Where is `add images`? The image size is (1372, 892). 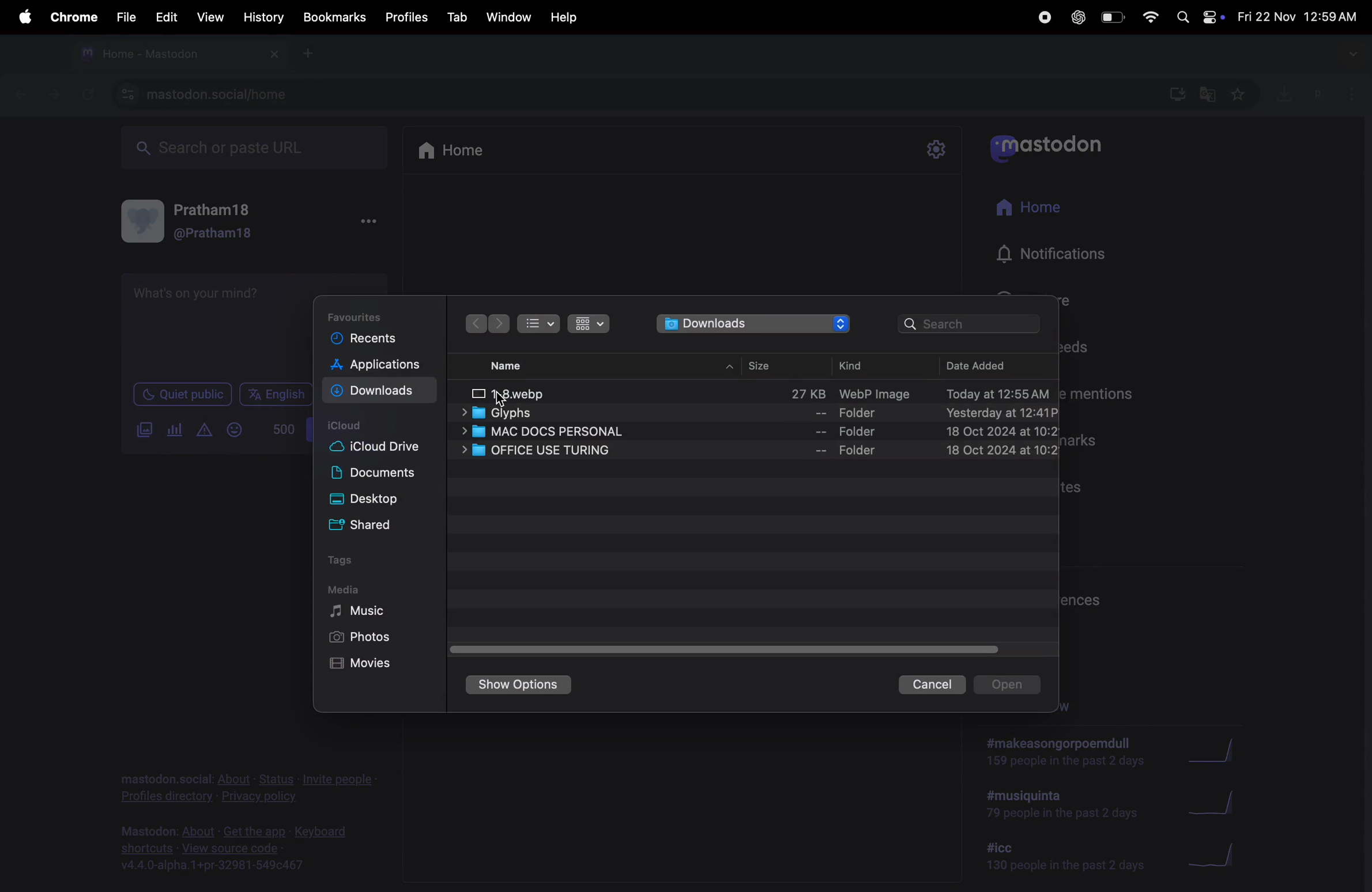 add images is located at coordinates (145, 433).